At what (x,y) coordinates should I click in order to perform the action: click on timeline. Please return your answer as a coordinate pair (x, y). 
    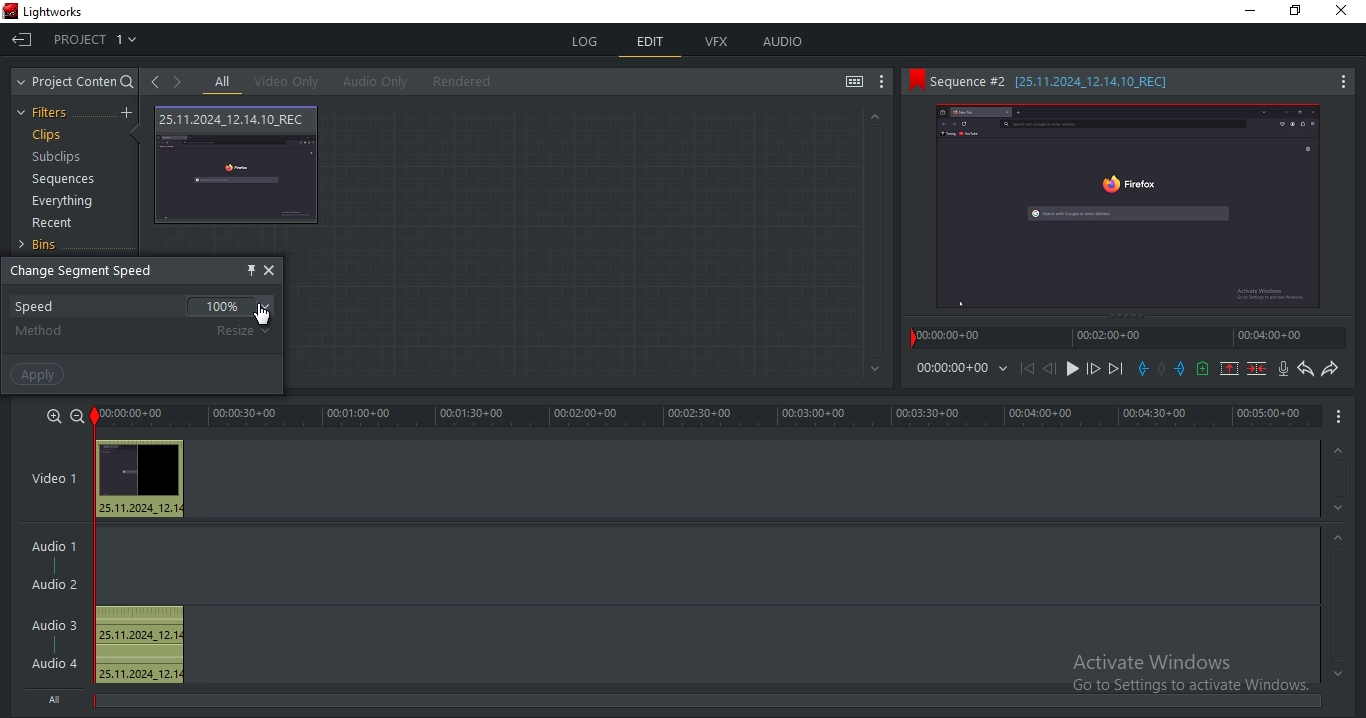
    Looking at the image, I should click on (707, 416).